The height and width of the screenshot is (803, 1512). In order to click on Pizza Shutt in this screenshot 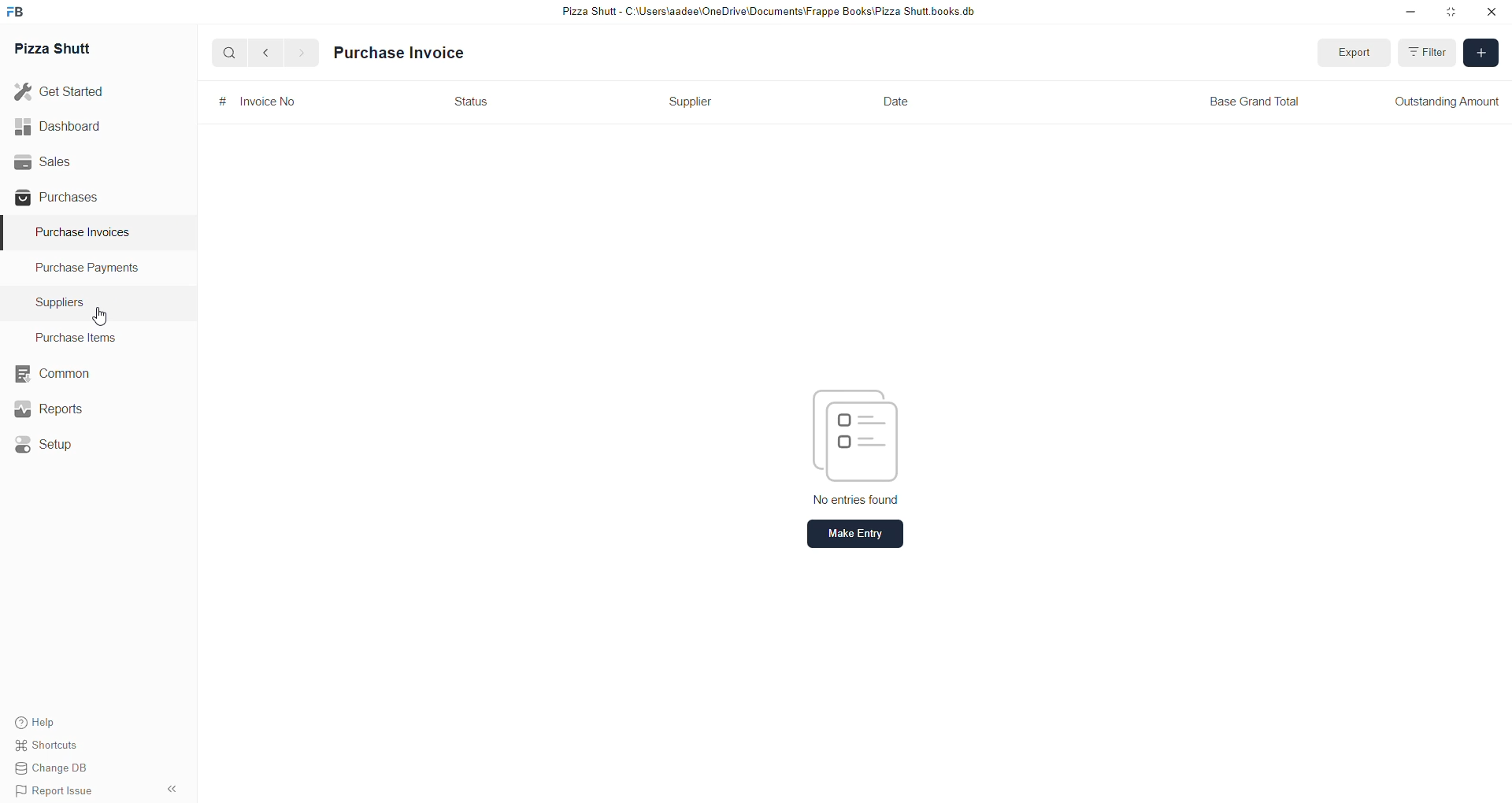, I will do `click(58, 49)`.